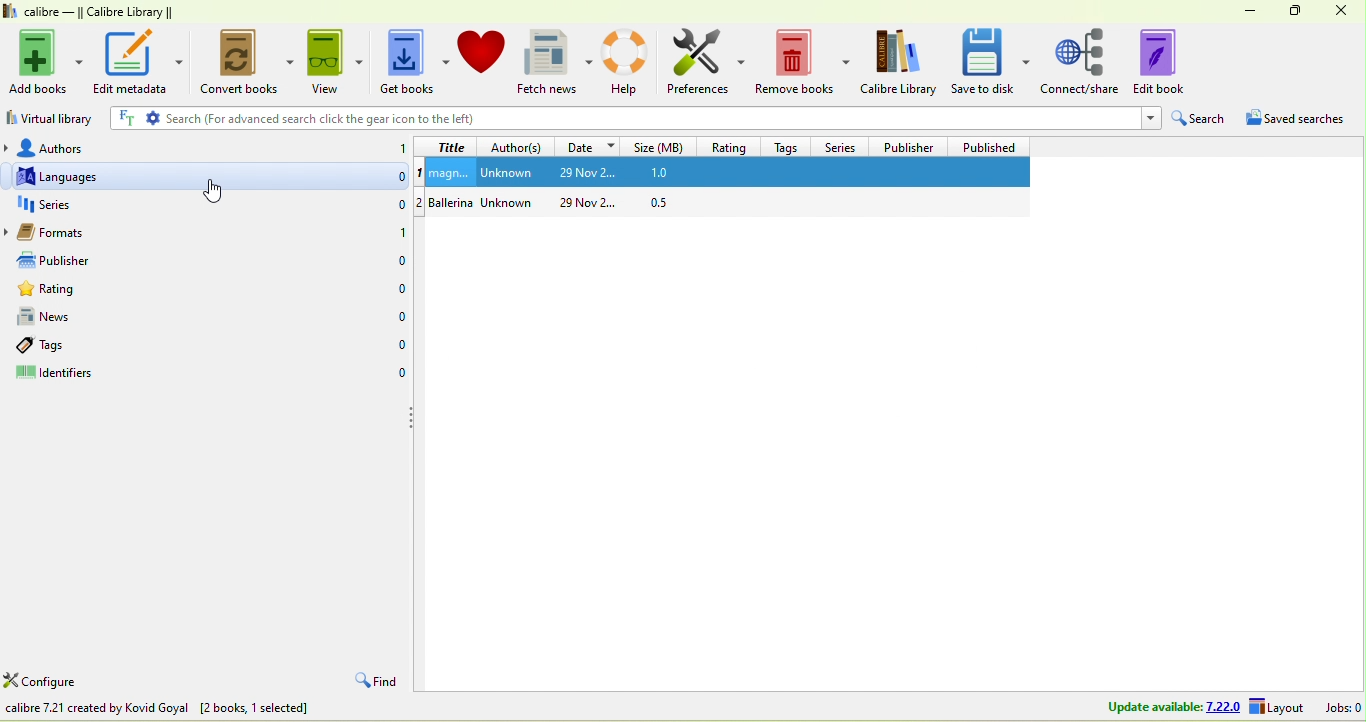  Describe the element at coordinates (398, 346) in the screenshot. I see `0` at that location.